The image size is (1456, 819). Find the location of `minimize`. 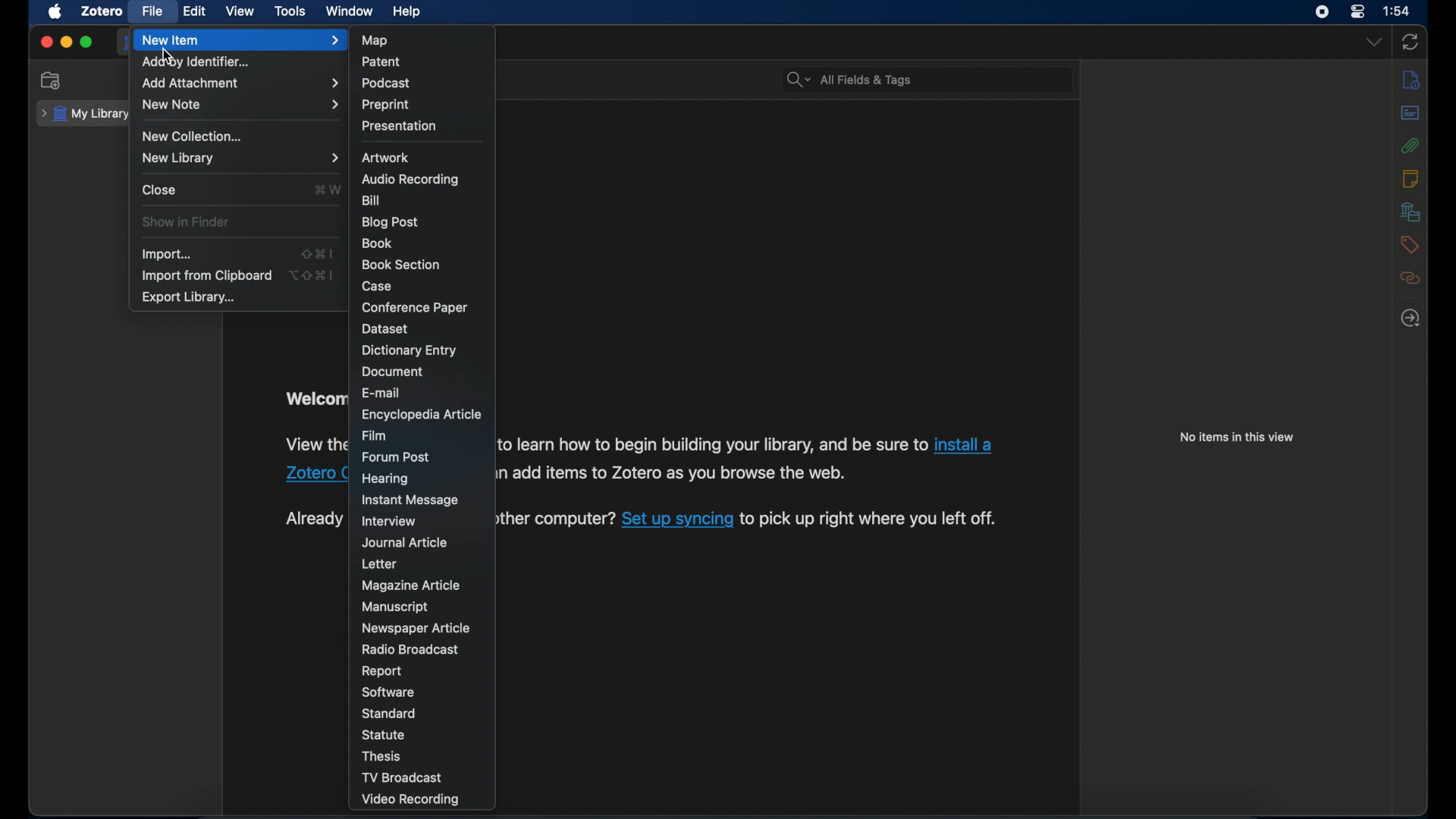

minimize is located at coordinates (67, 42).